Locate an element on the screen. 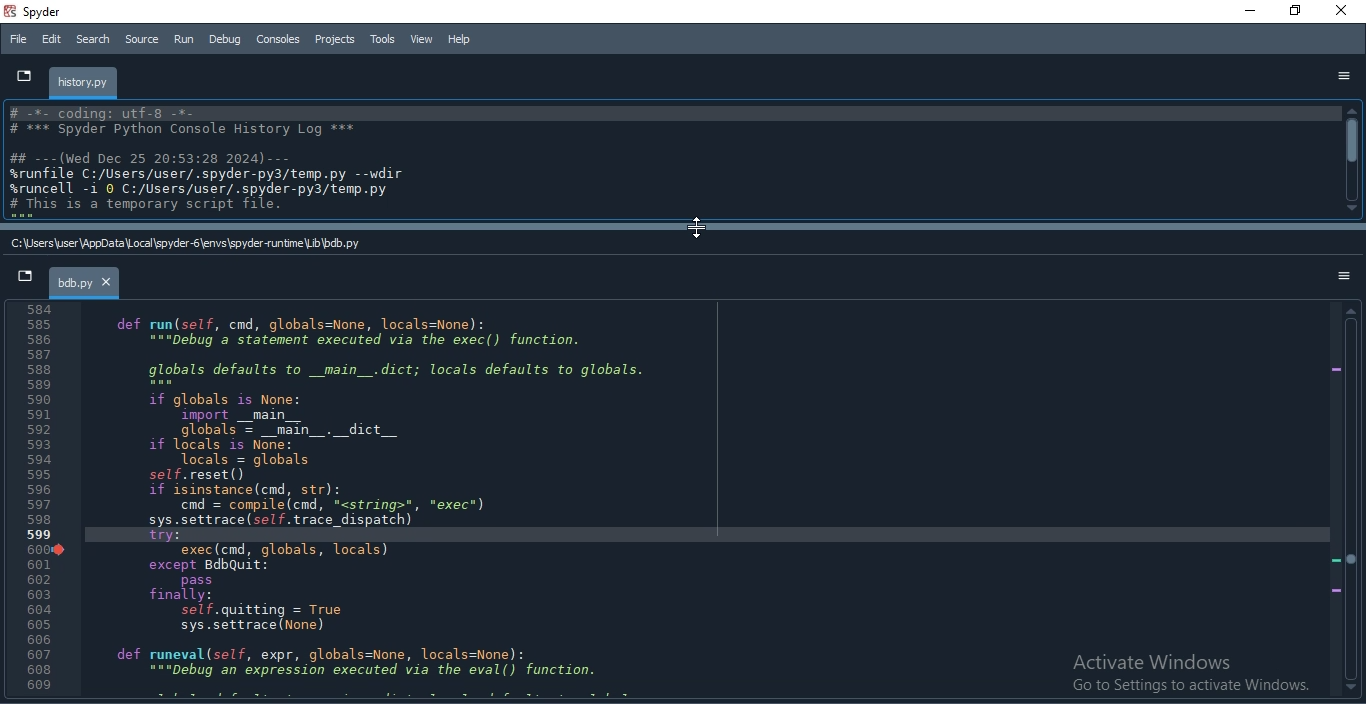 Image resolution: width=1366 pixels, height=704 pixels. close is located at coordinates (1346, 12).